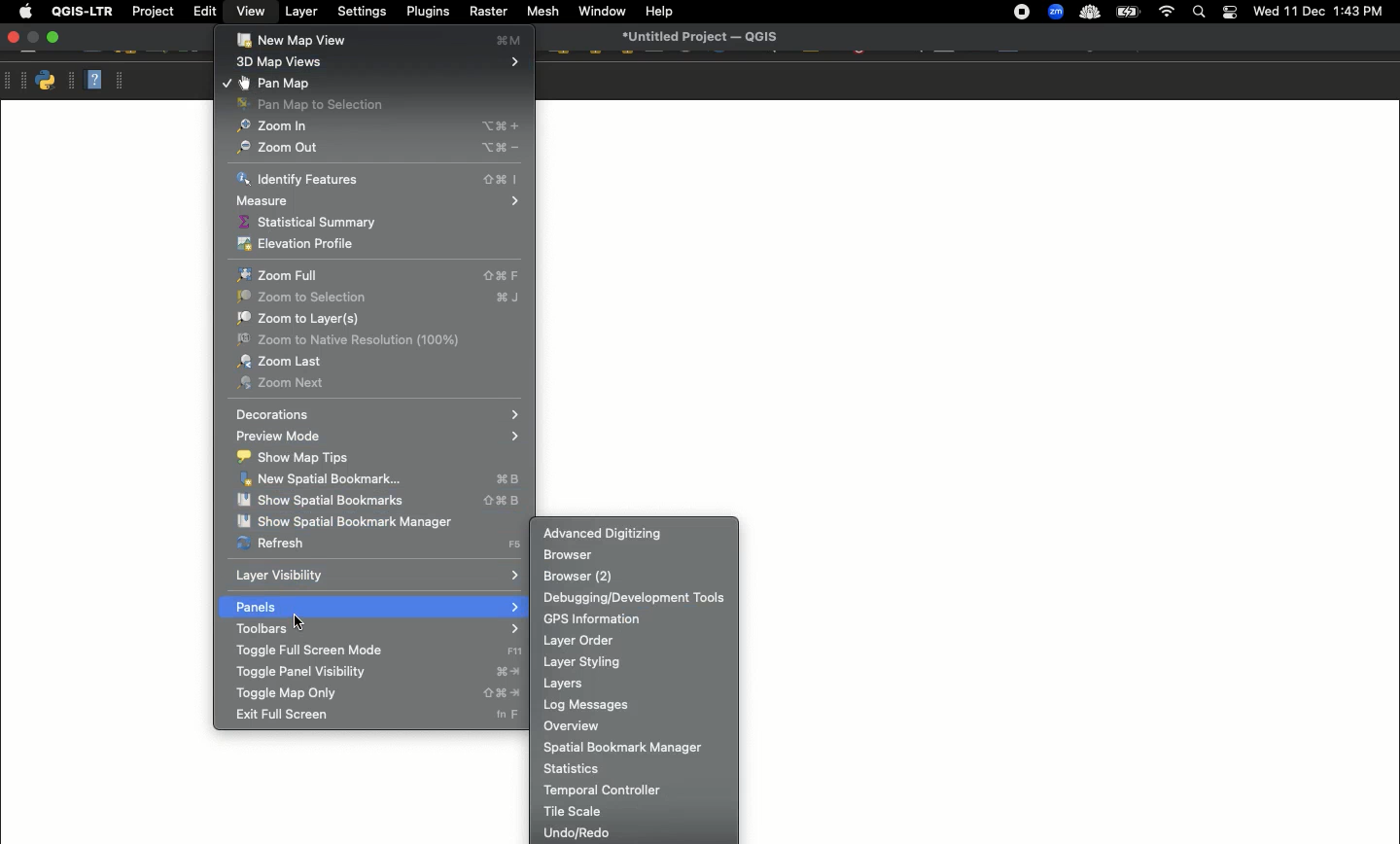  What do you see at coordinates (373, 694) in the screenshot?
I see `Toggle maps only` at bounding box center [373, 694].